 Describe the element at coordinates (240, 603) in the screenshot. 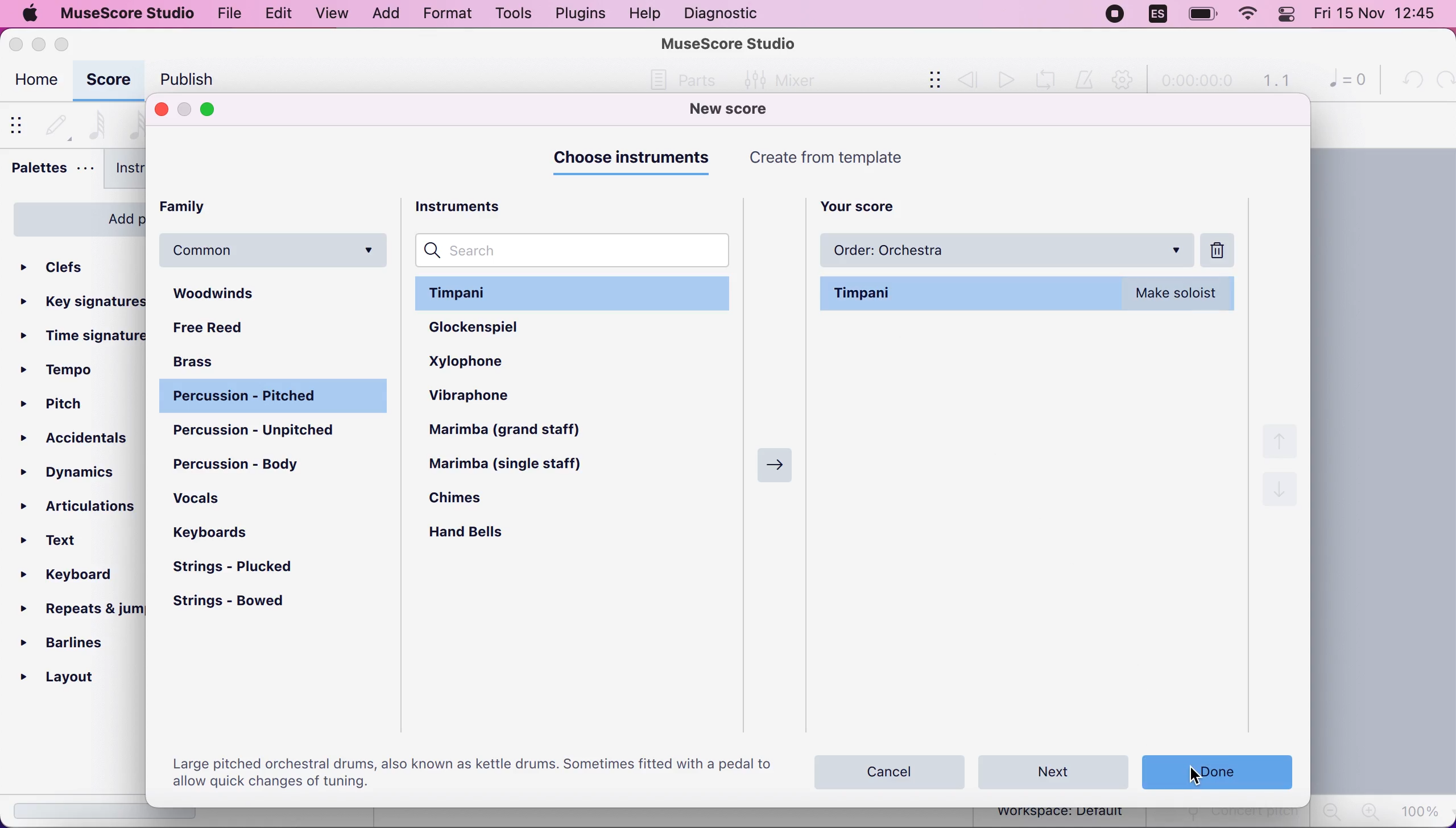

I see `strings - bowed` at that location.